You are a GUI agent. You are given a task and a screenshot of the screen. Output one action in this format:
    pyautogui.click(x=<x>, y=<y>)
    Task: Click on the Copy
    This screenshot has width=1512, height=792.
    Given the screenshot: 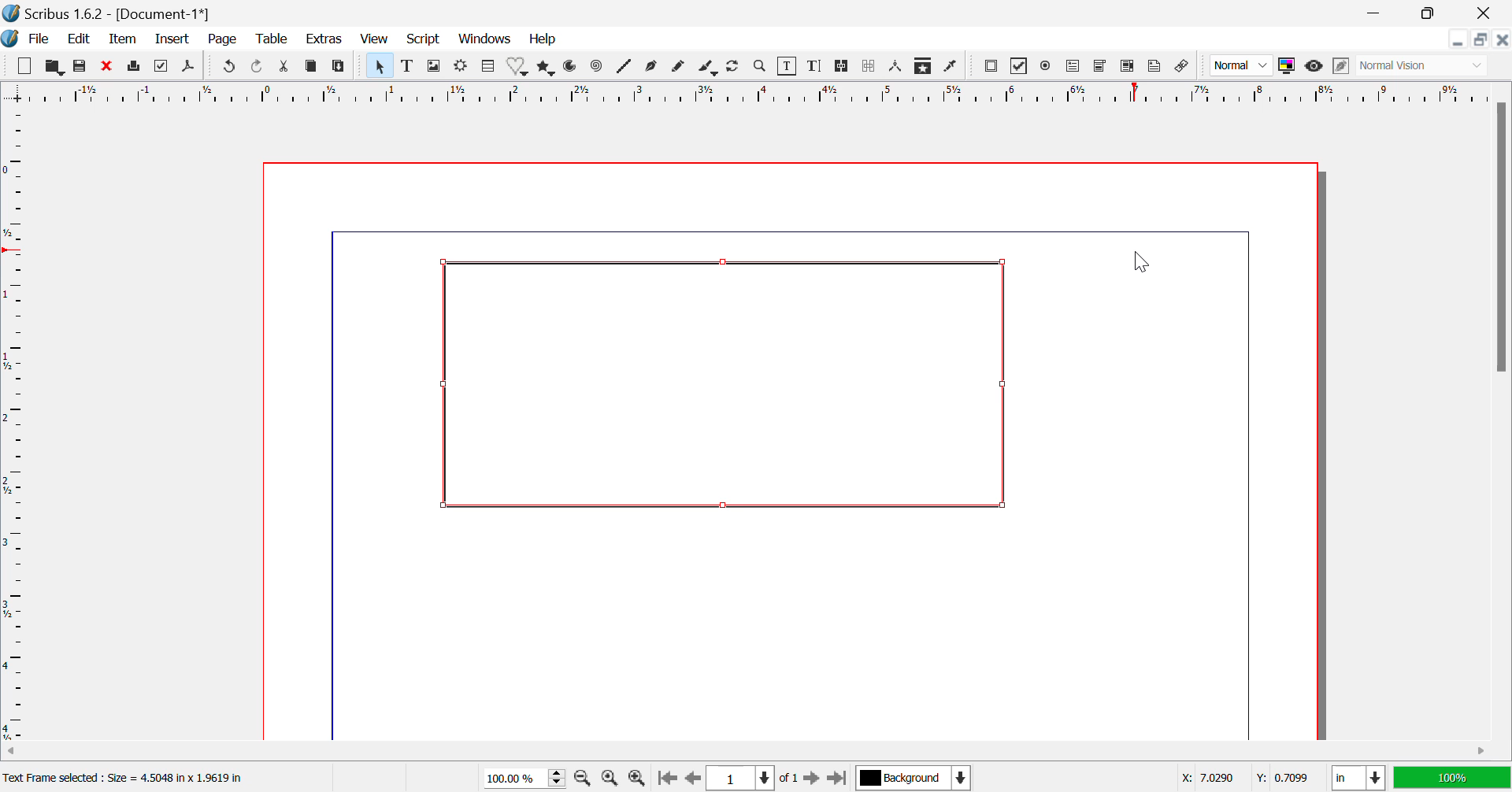 What is the action you would take?
    pyautogui.click(x=312, y=66)
    